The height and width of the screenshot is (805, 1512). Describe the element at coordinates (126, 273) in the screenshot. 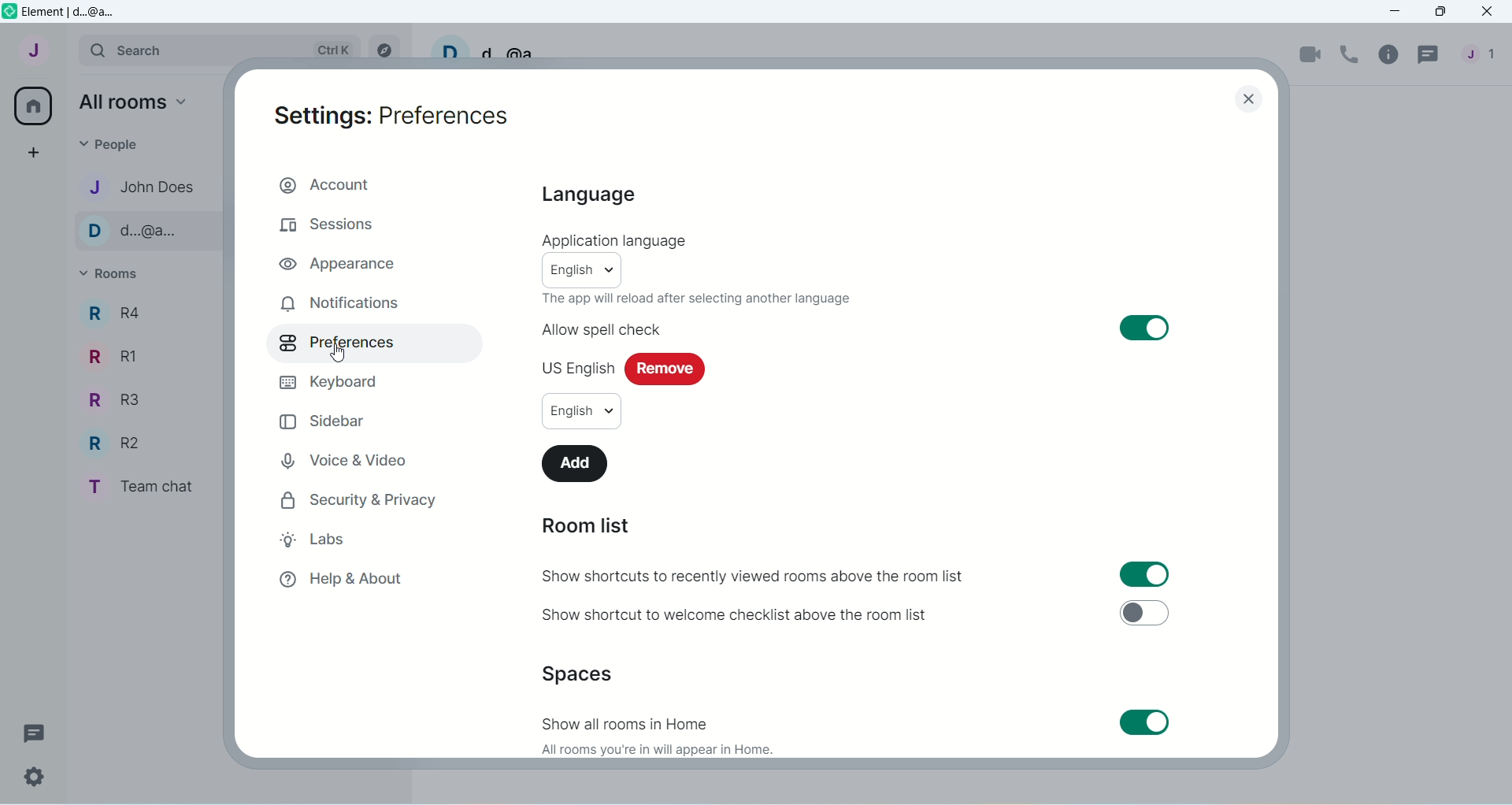

I see `Rooms` at that location.